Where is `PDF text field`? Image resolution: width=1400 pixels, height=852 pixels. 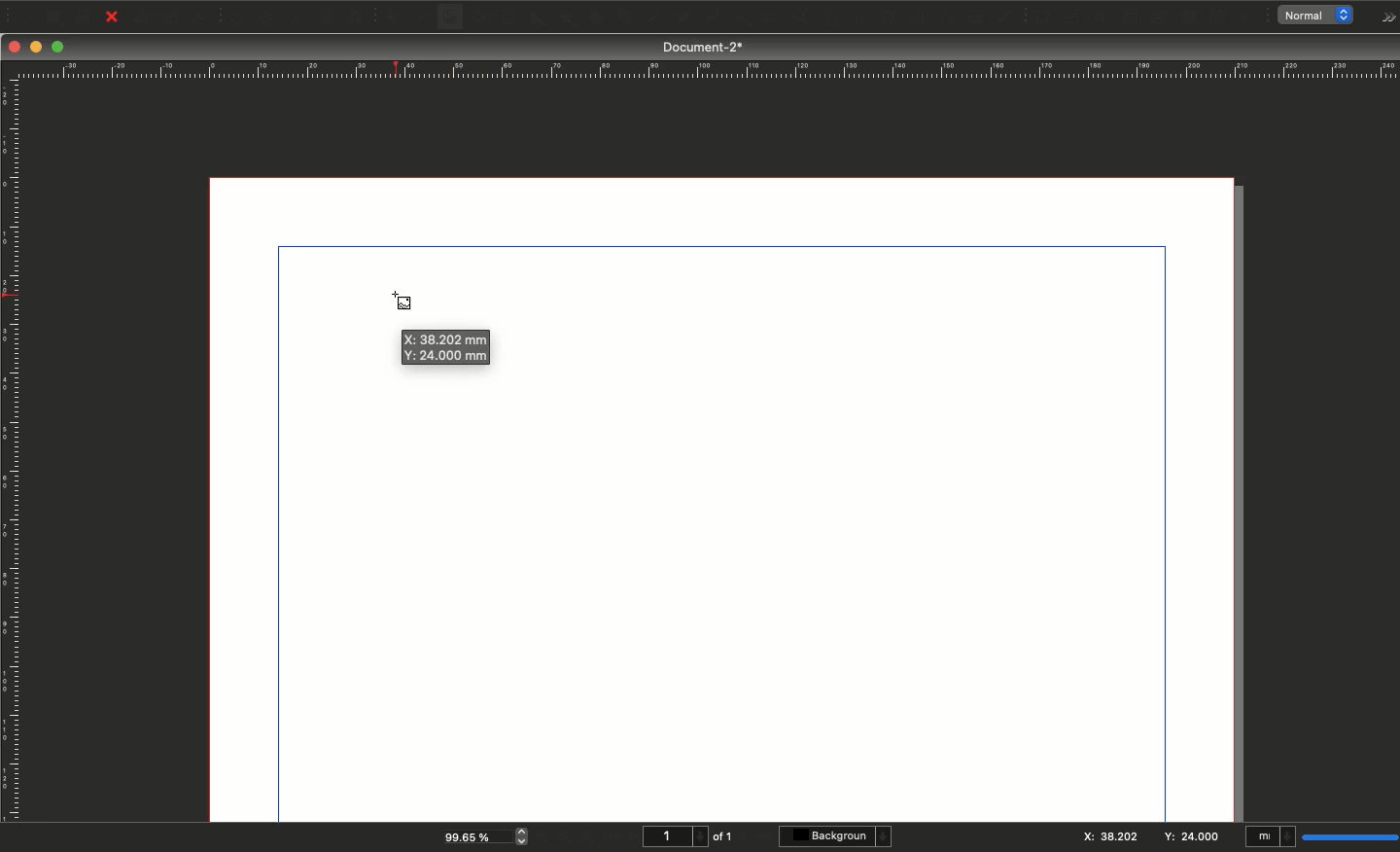
PDF text field is located at coordinates (1129, 18).